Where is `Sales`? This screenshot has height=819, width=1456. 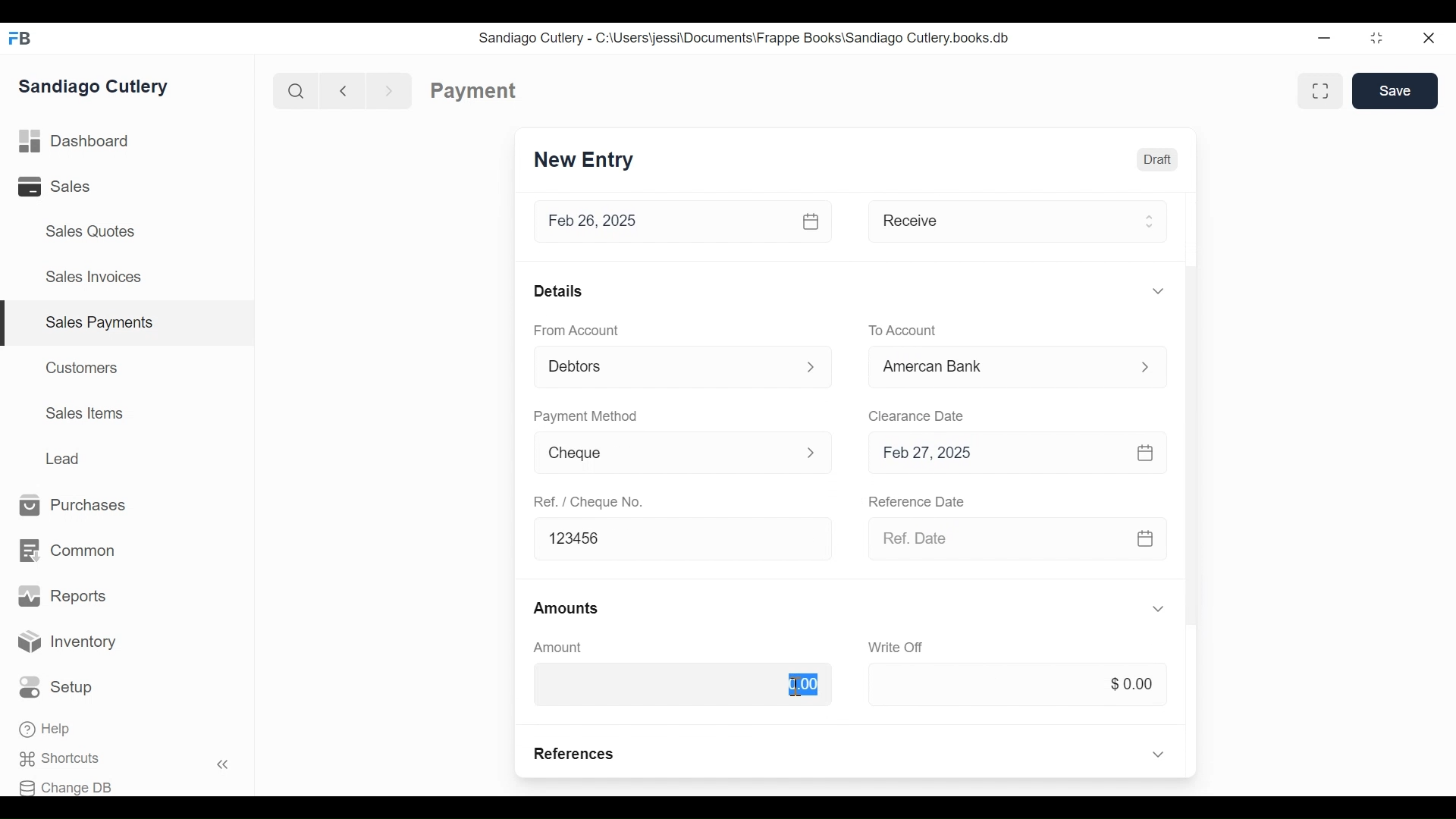
Sales is located at coordinates (65, 187).